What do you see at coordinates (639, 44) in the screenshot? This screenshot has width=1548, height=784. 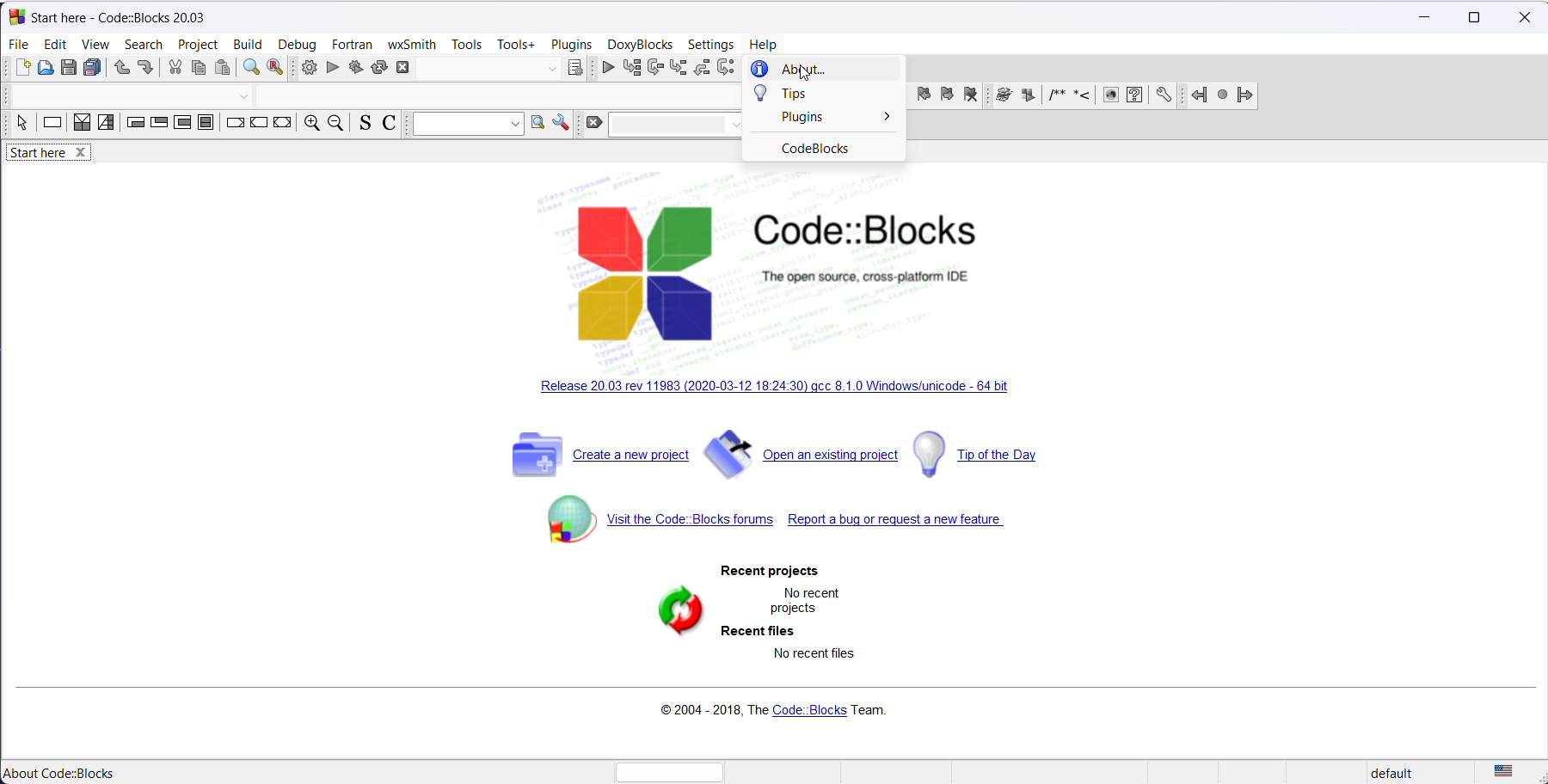 I see `Doxyblock` at bounding box center [639, 44].